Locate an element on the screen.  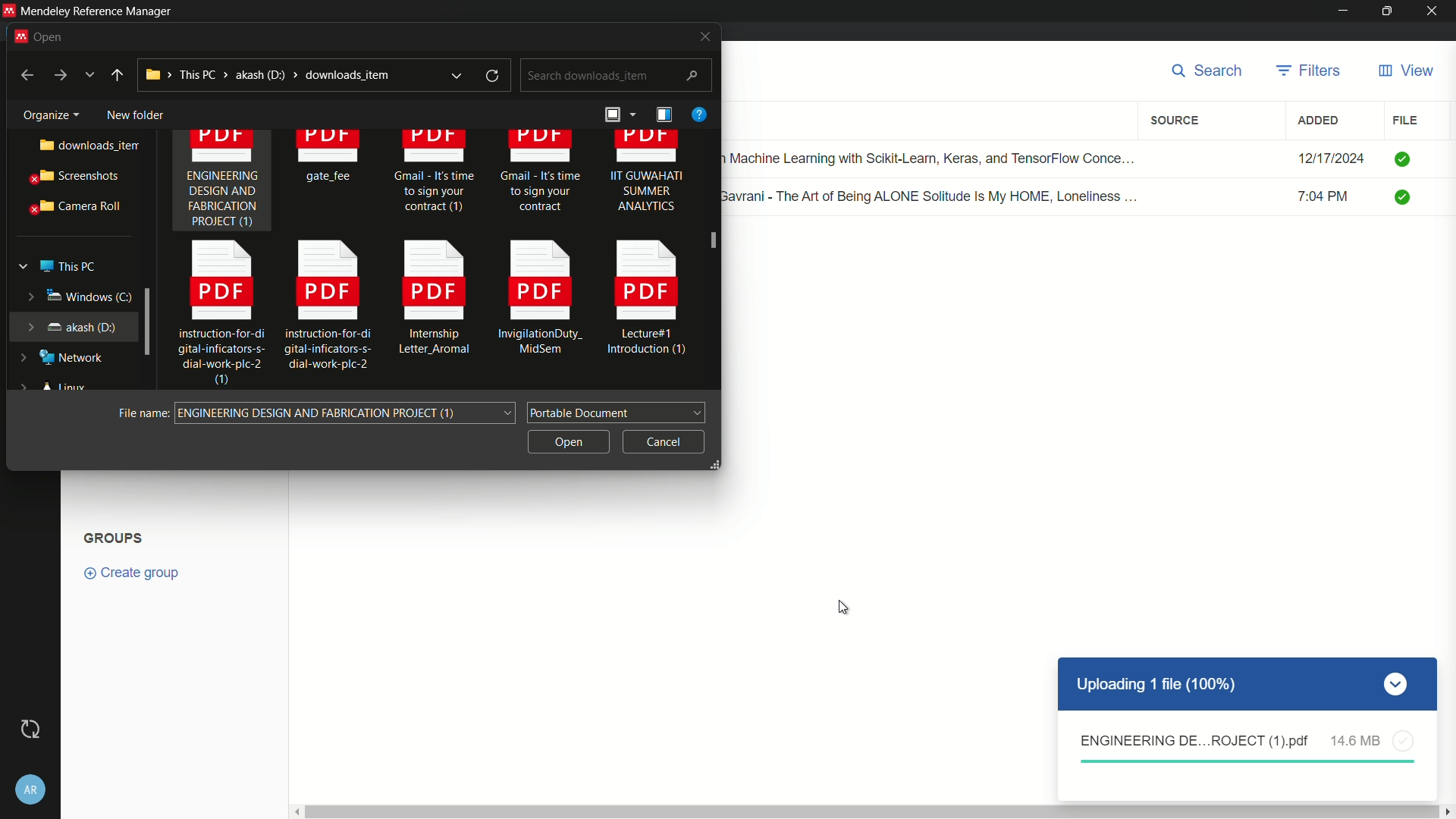
new folder is located at coordinates (134, 111).